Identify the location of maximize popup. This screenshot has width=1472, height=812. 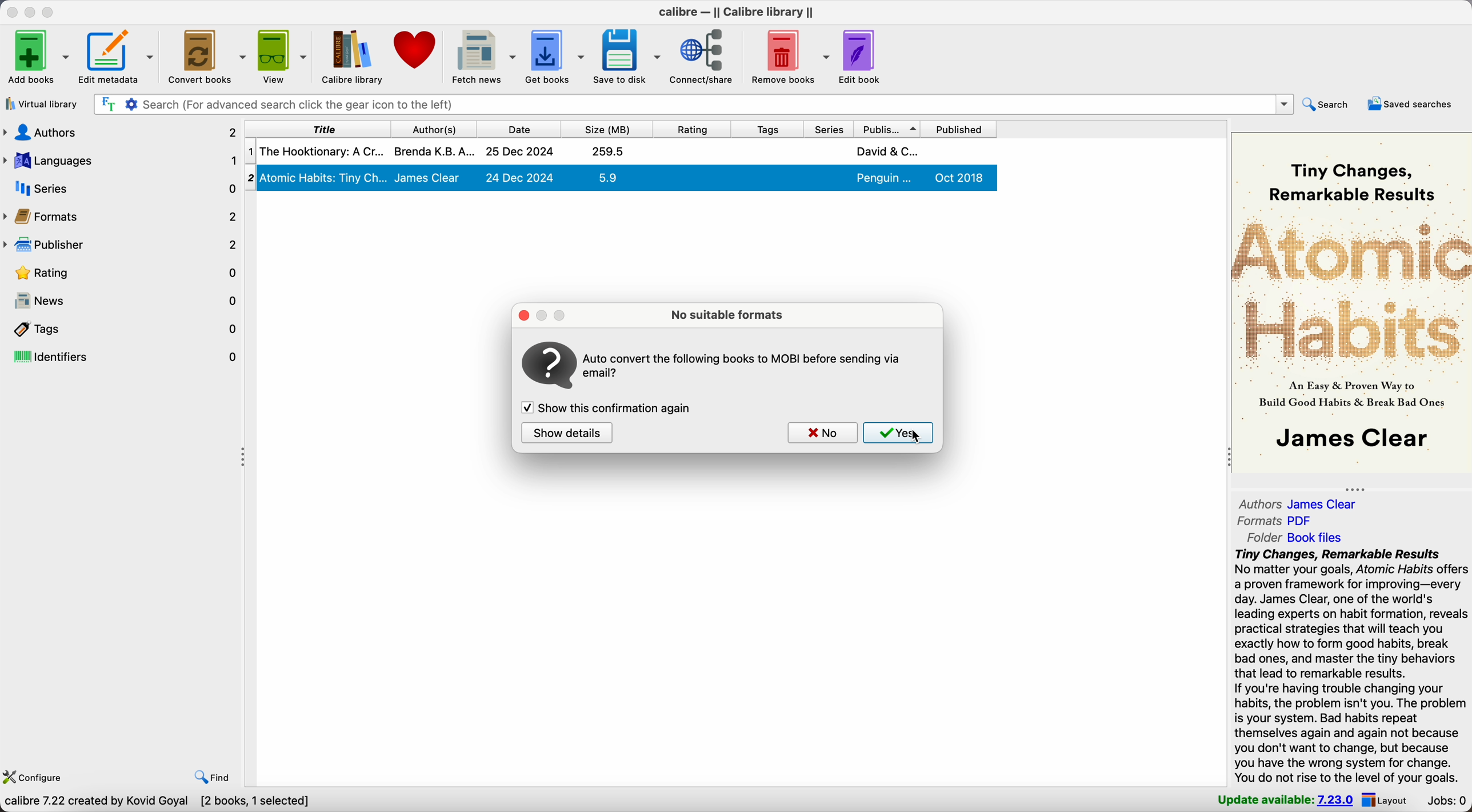
(562, 315).